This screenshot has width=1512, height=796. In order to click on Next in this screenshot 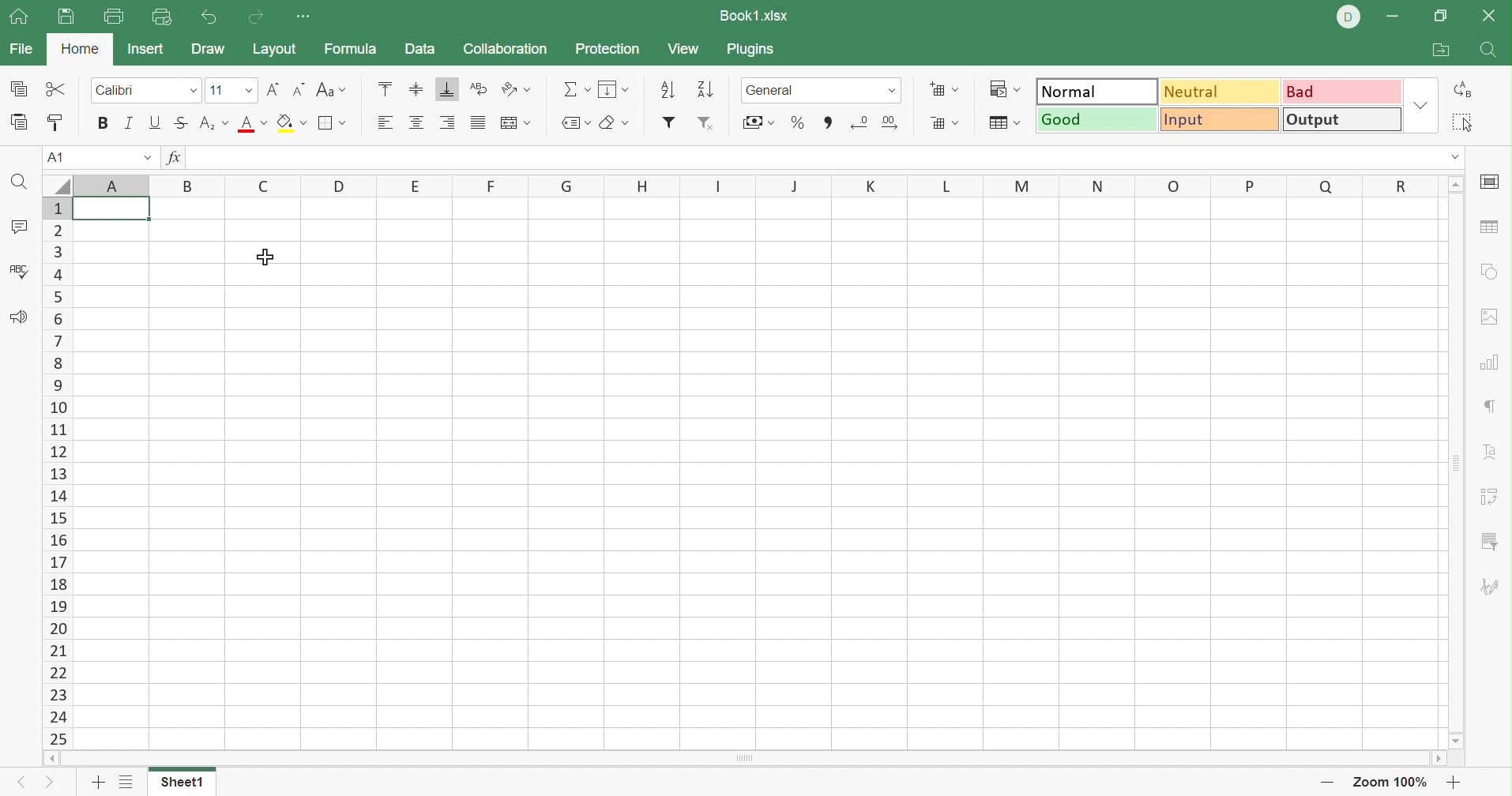, I will do `click(47, 783)`.